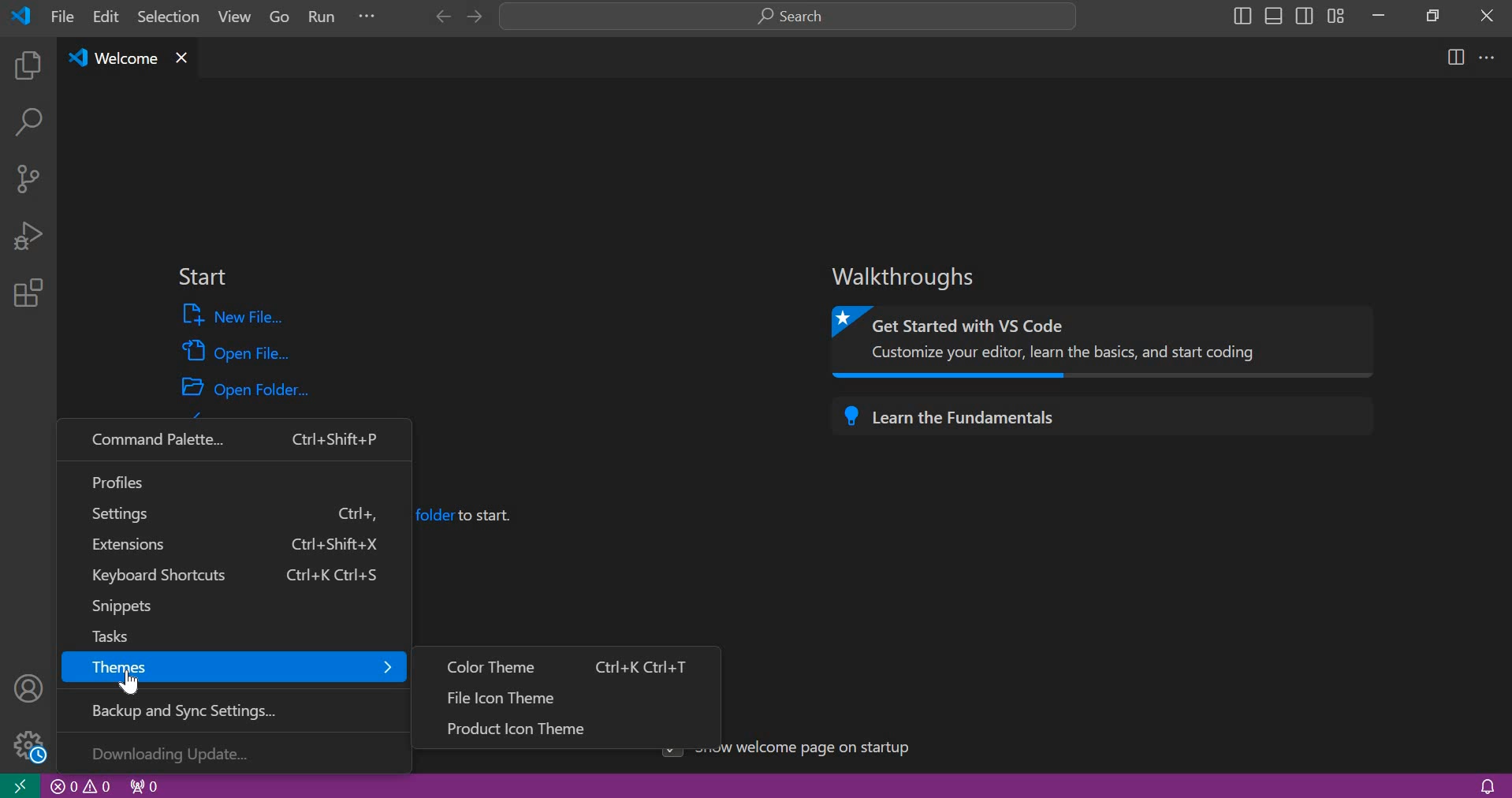 The width and height of the screenshot is (1512, 798). What do you see at coordinates (1335, 15) in the screenshot?
I see `customize layout` at bounding box center [1335, 15].